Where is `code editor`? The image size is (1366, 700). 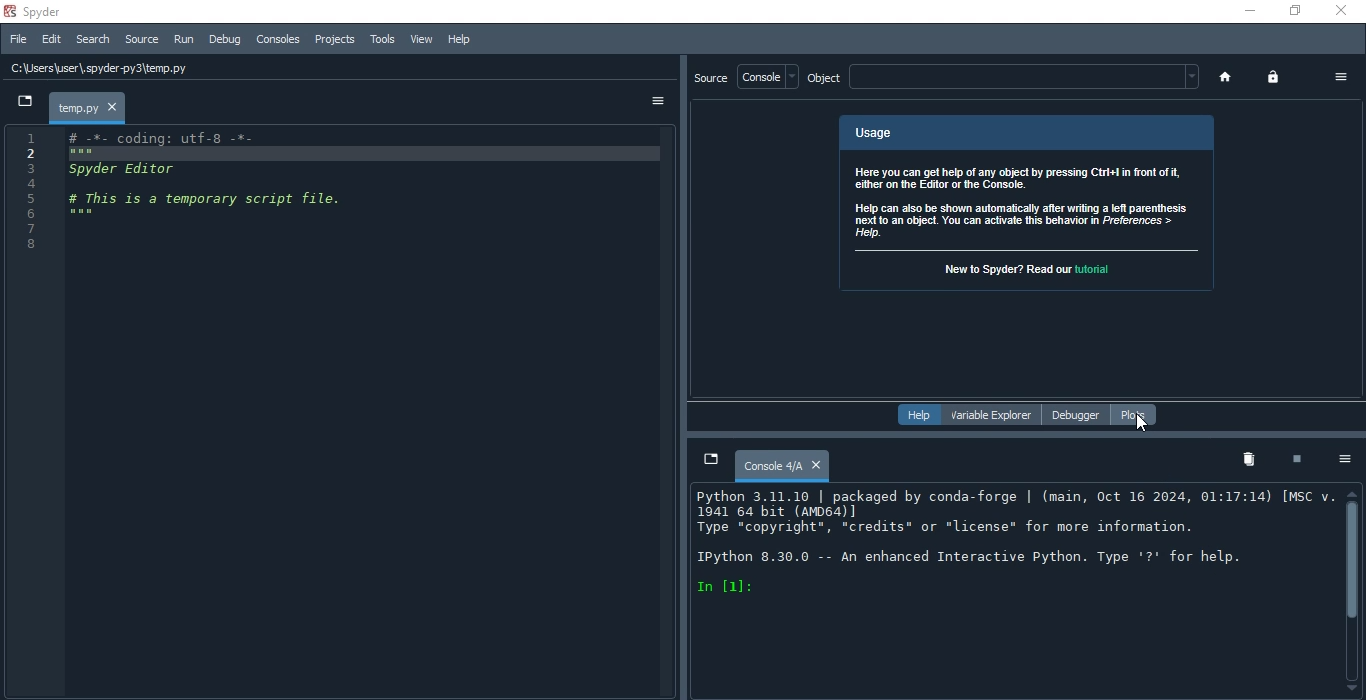
code editor is located at coordinates (375, 409).